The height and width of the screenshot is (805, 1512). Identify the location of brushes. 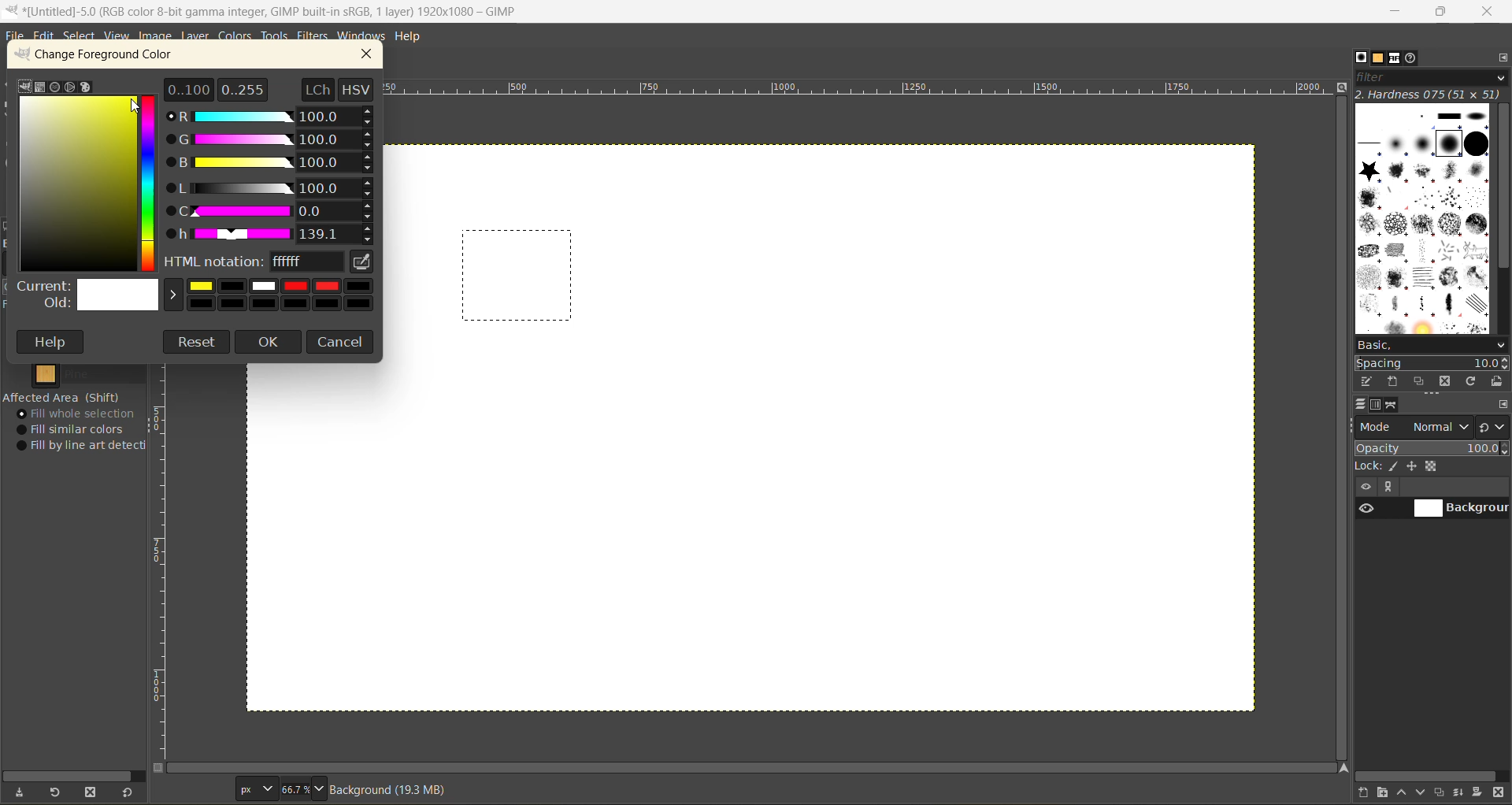
(1361, 58).